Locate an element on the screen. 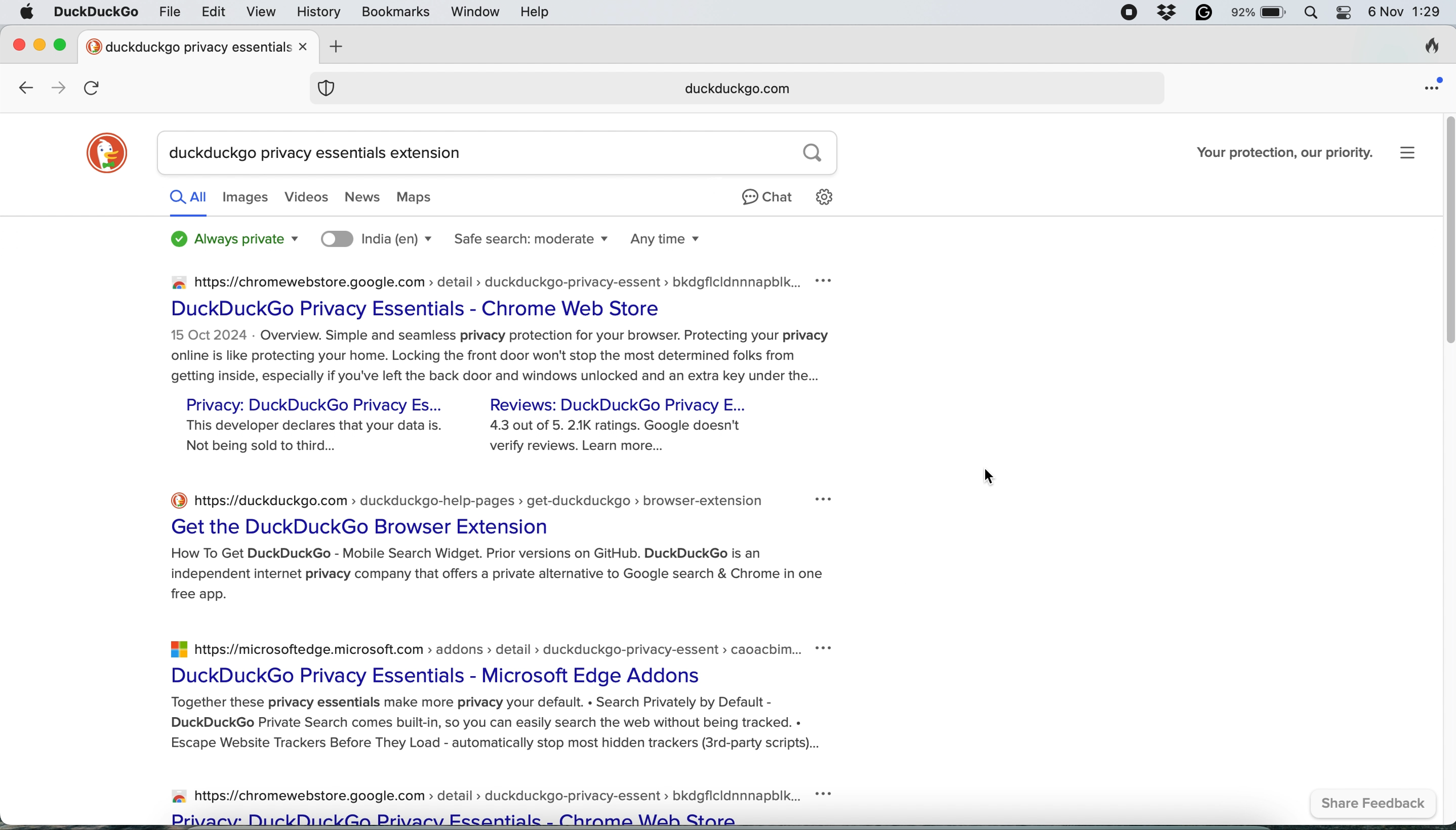  minimise is located at coordinates (39, 43).